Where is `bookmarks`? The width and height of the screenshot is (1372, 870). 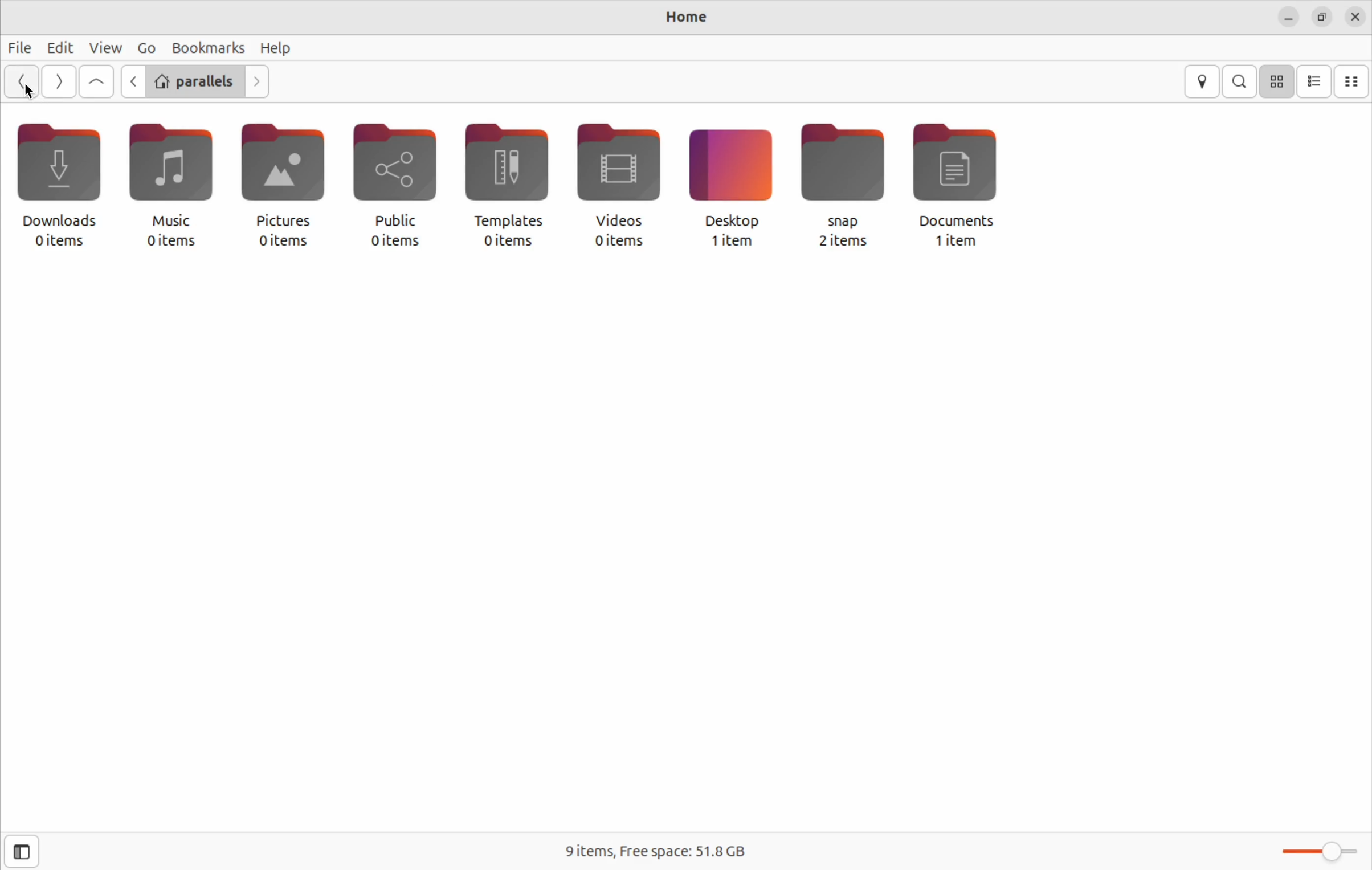 bookmarks is located at coordinates (207, 45).